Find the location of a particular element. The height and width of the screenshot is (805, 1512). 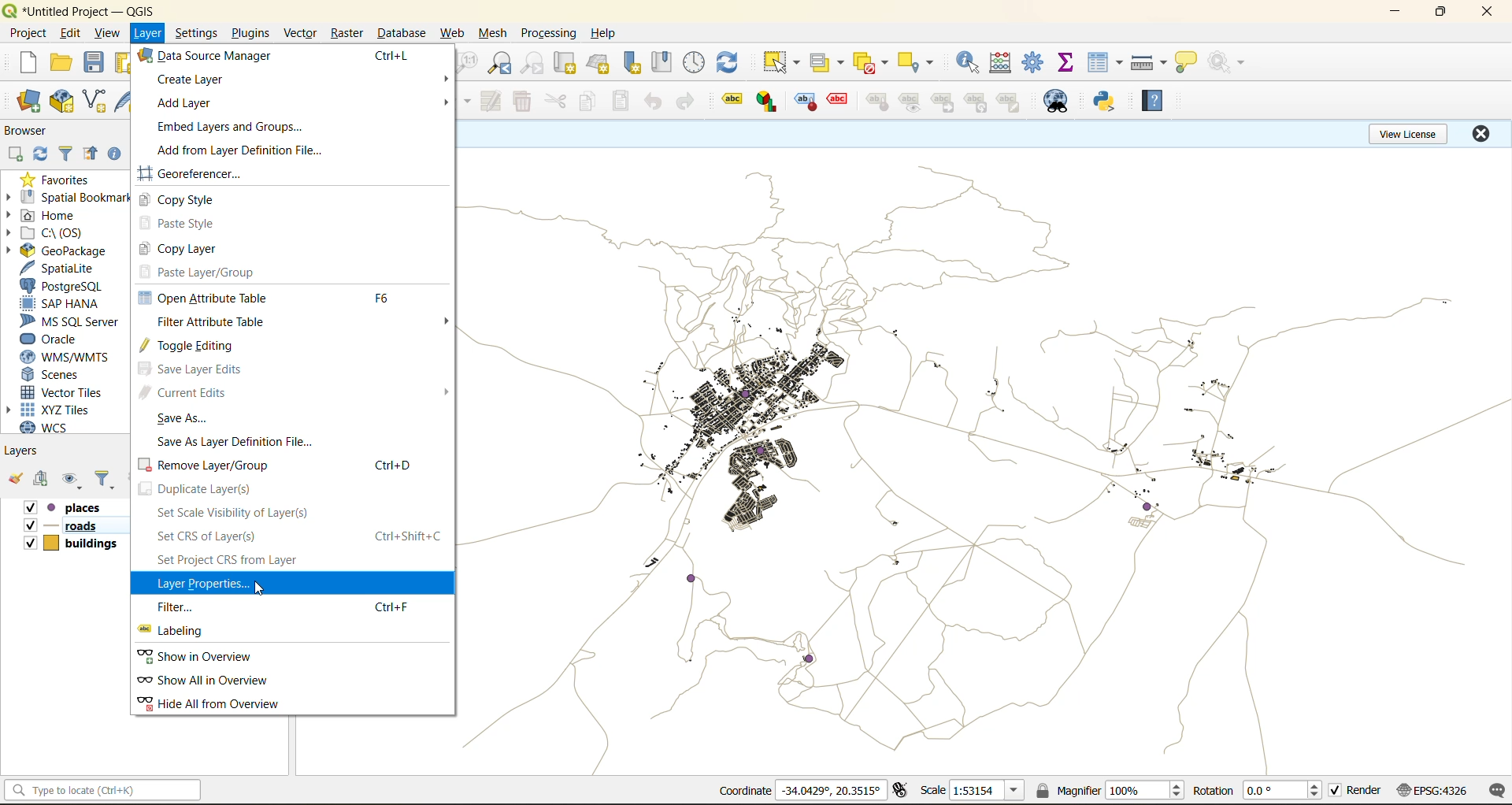

database is located at coordinates (404, 33).